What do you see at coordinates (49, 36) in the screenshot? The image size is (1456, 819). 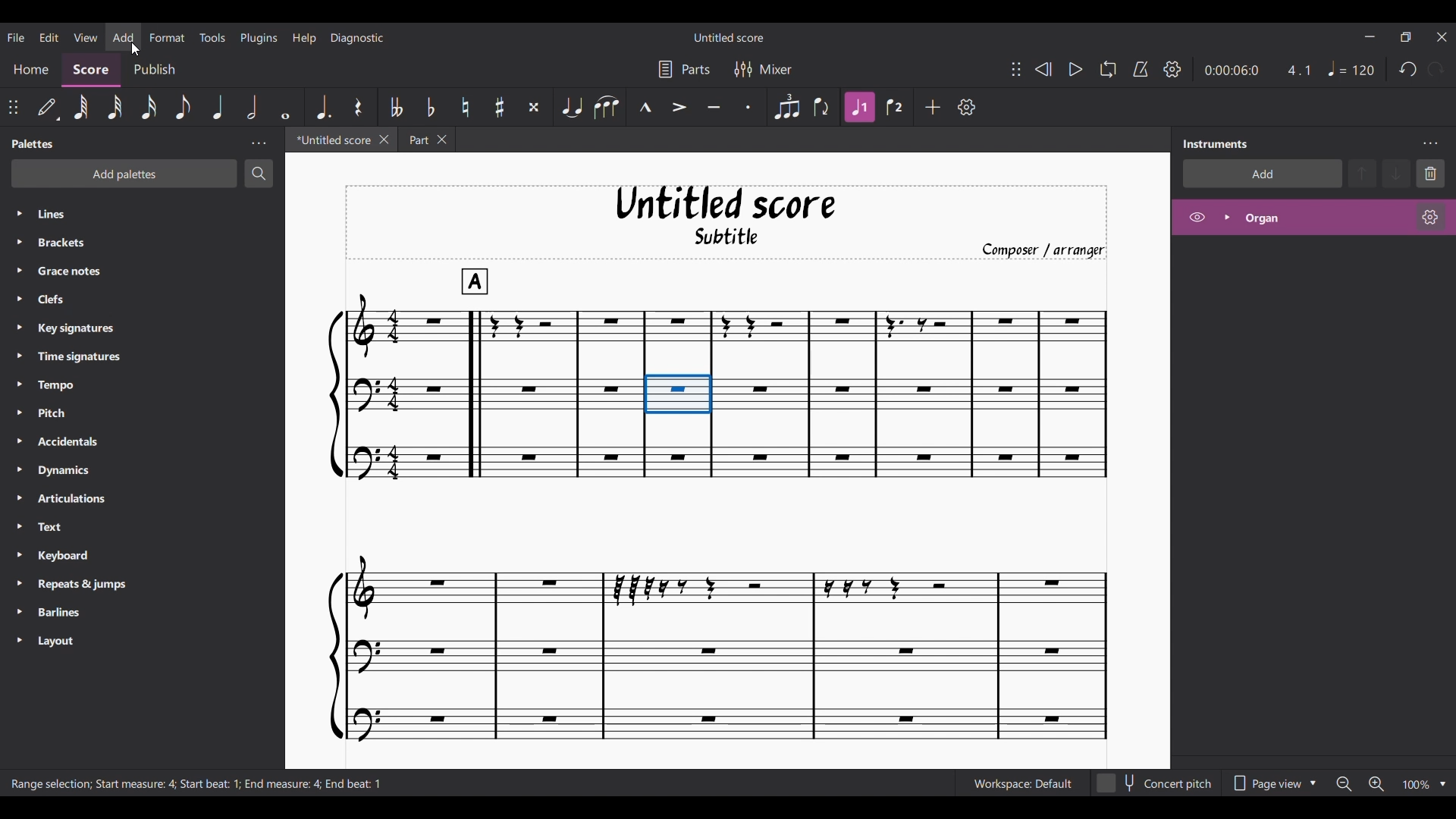 I see `Edit menu` at bounding box center [49, 36].